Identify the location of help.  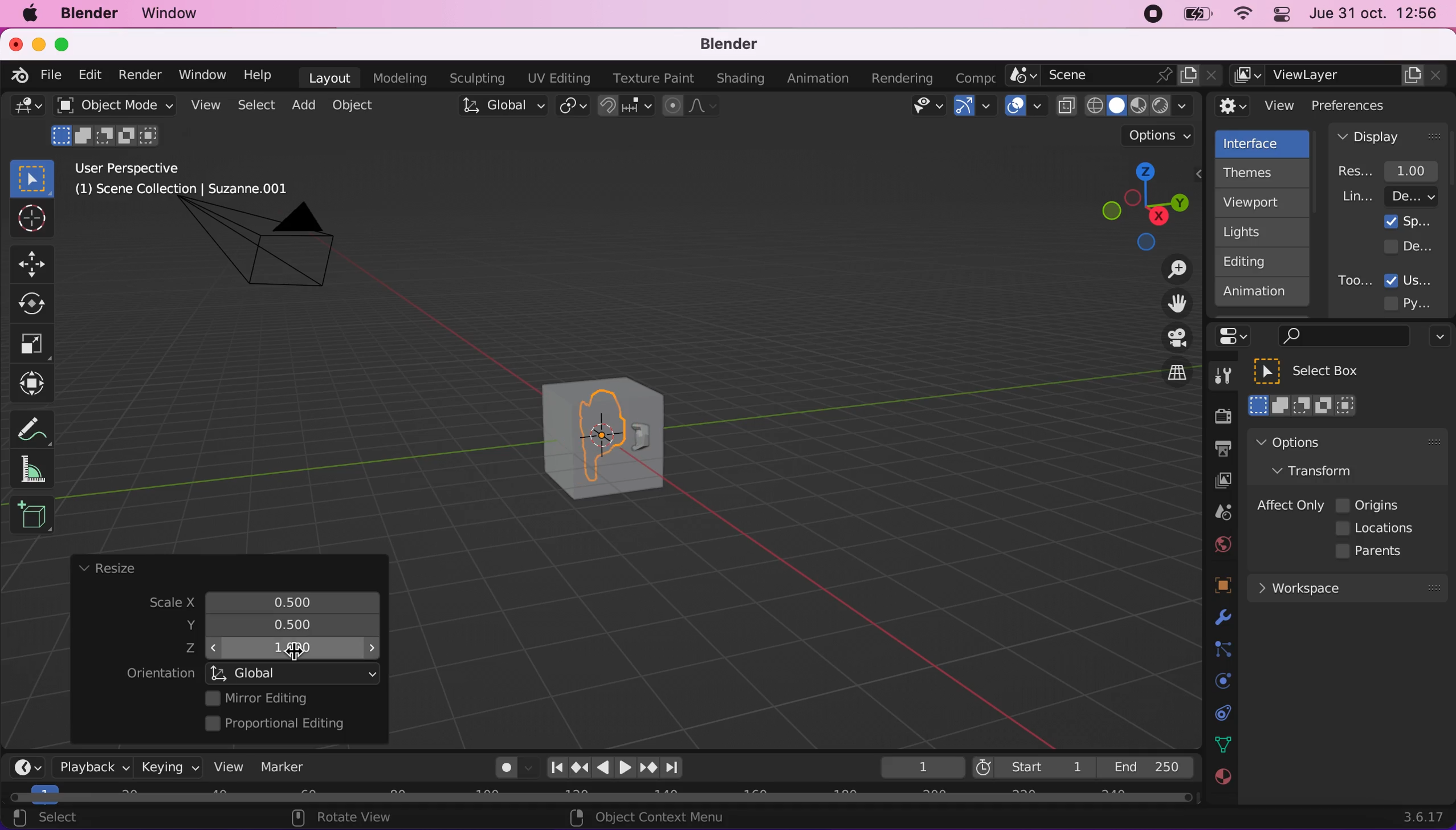
(259, 74).